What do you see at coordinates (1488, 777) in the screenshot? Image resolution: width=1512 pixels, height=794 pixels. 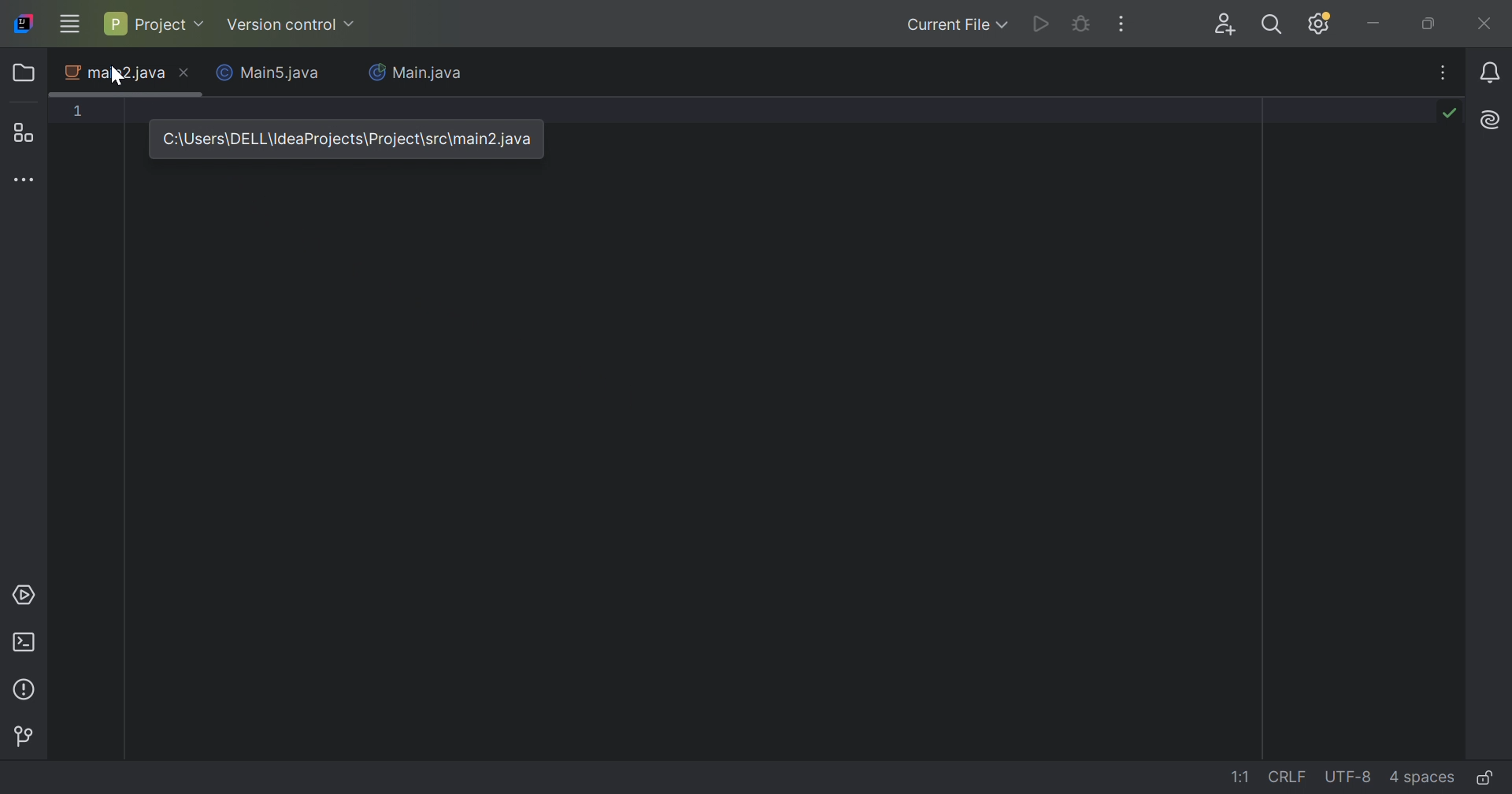 I see `Make file read-only` at bounding box center [1488, 777].